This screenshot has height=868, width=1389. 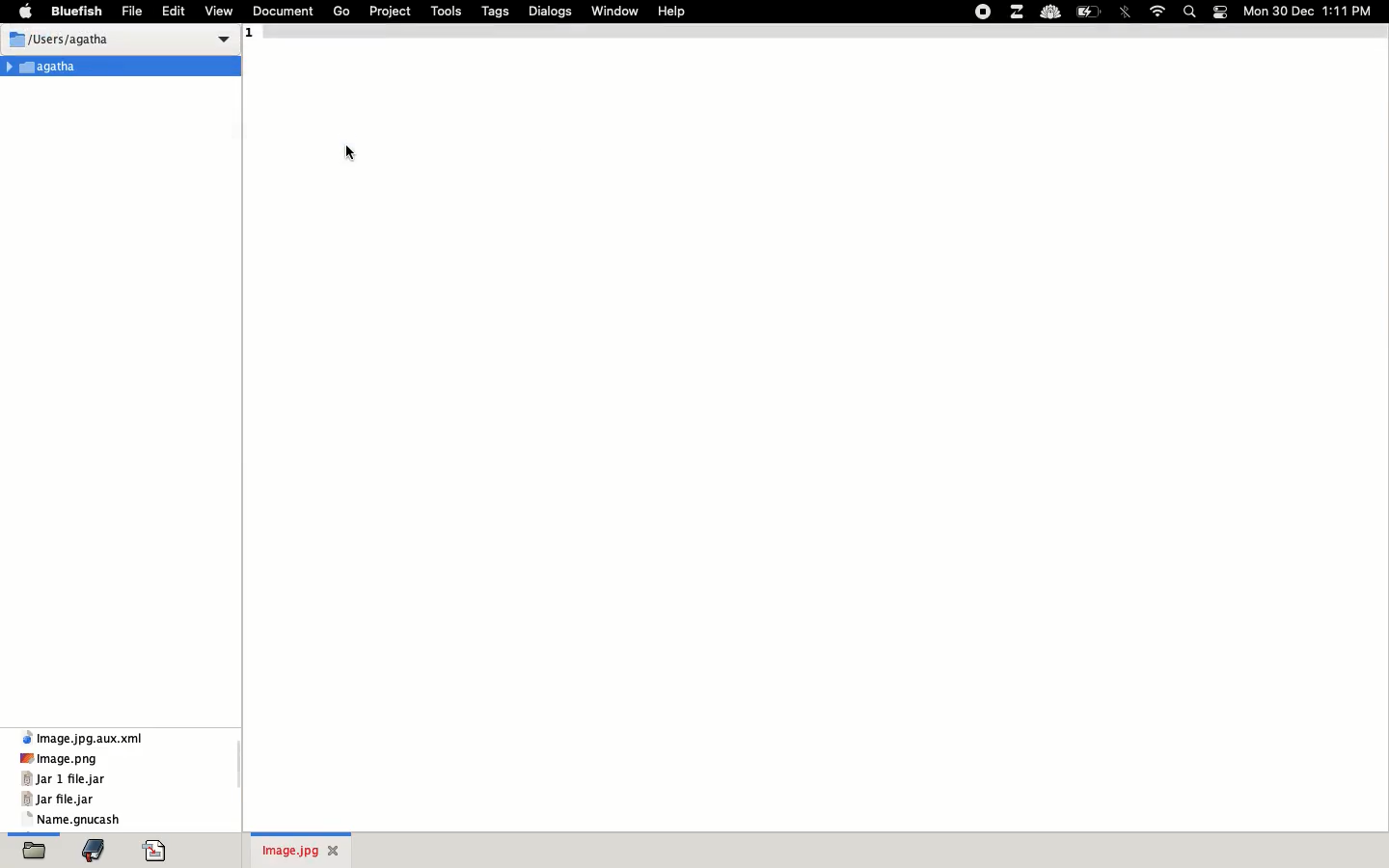 I want to click on window, so click(x=618, y=9).